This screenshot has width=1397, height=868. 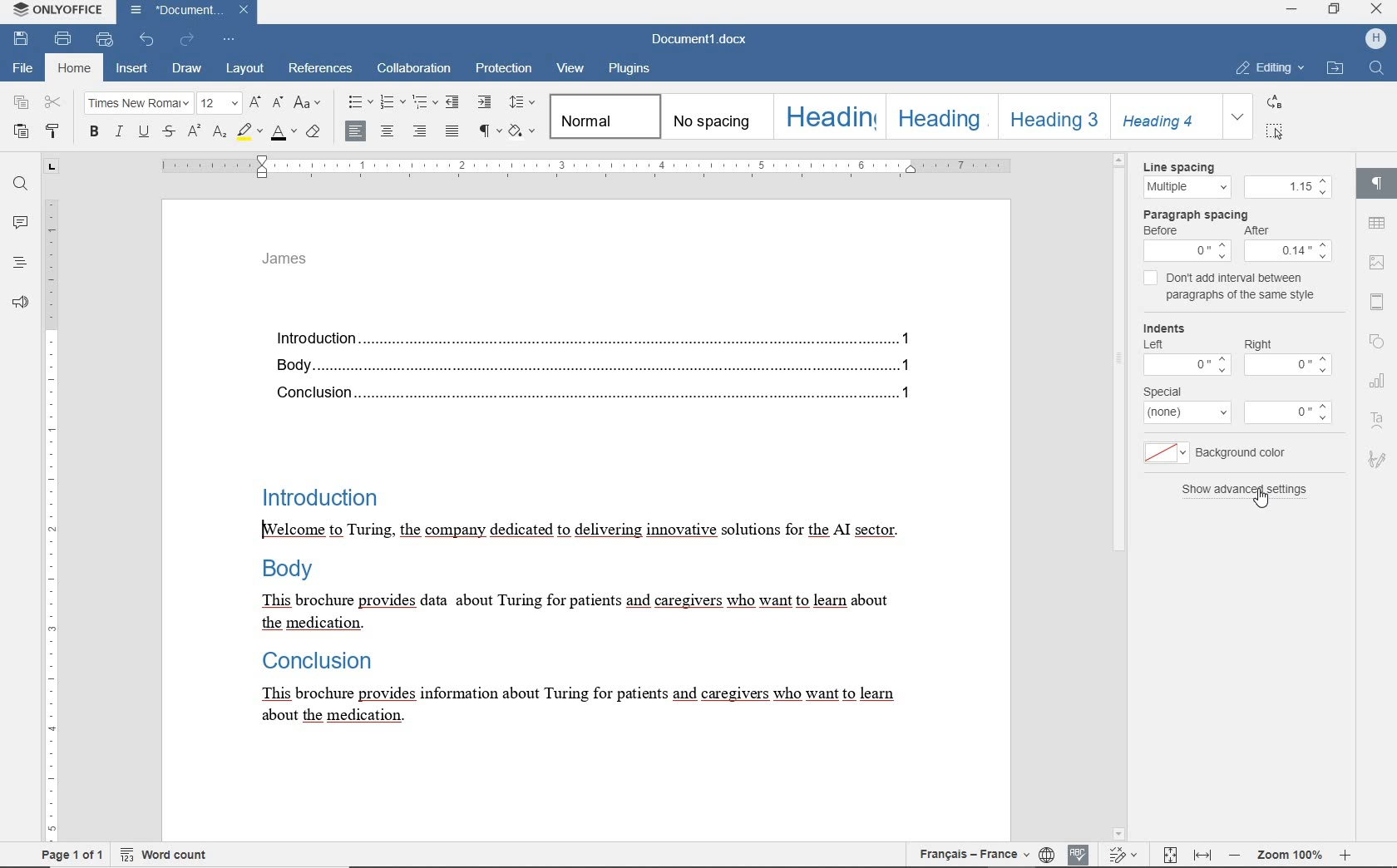 I want to click on minimize, so click(x=1291, y=9).